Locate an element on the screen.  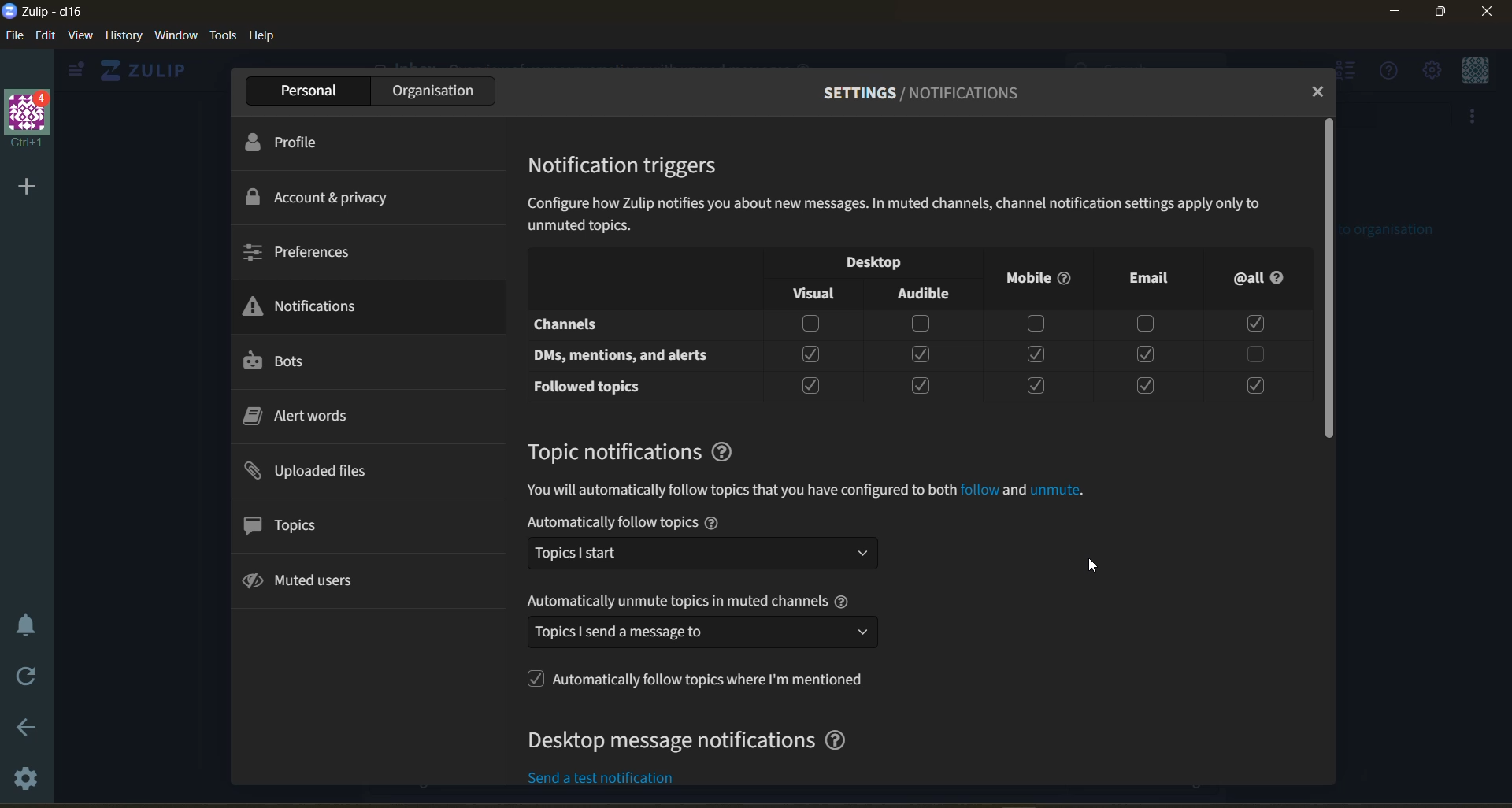
personal menu is located at coordinates (1475, 70).